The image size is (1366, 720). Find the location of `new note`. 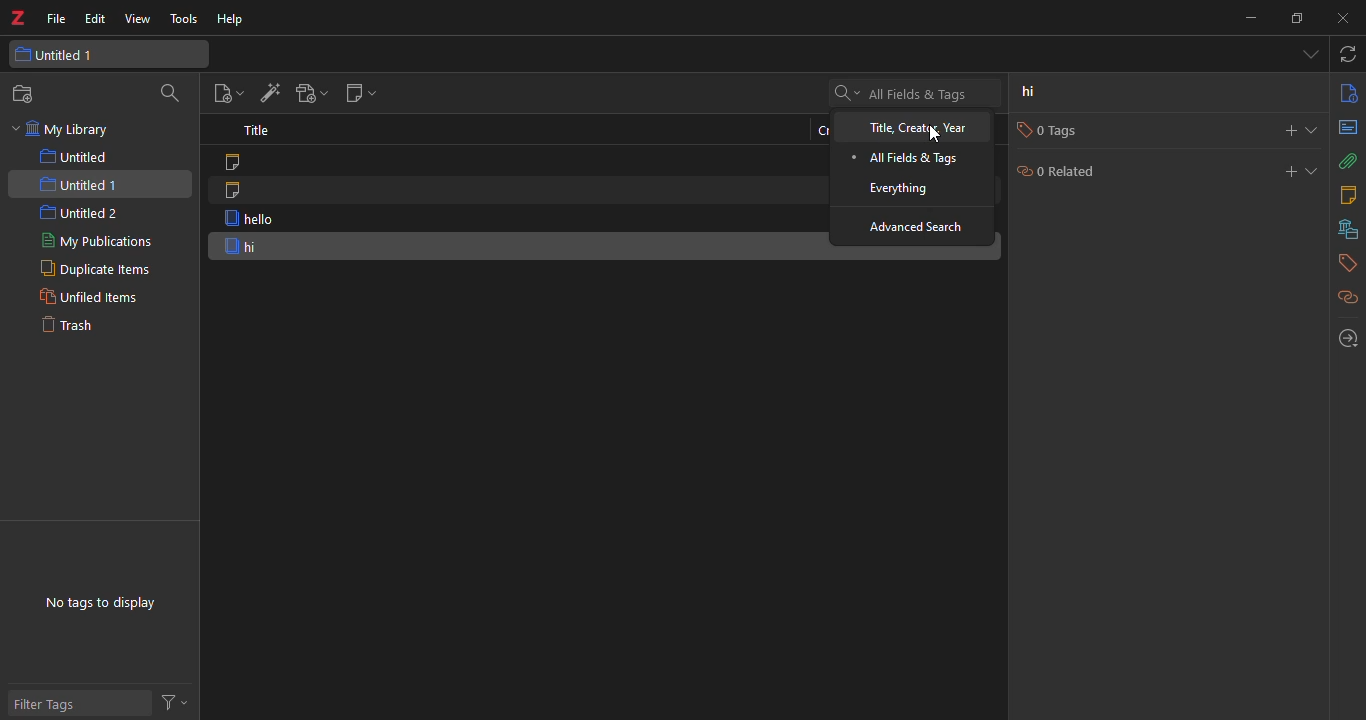

new note is located at coordinates (363, 93).